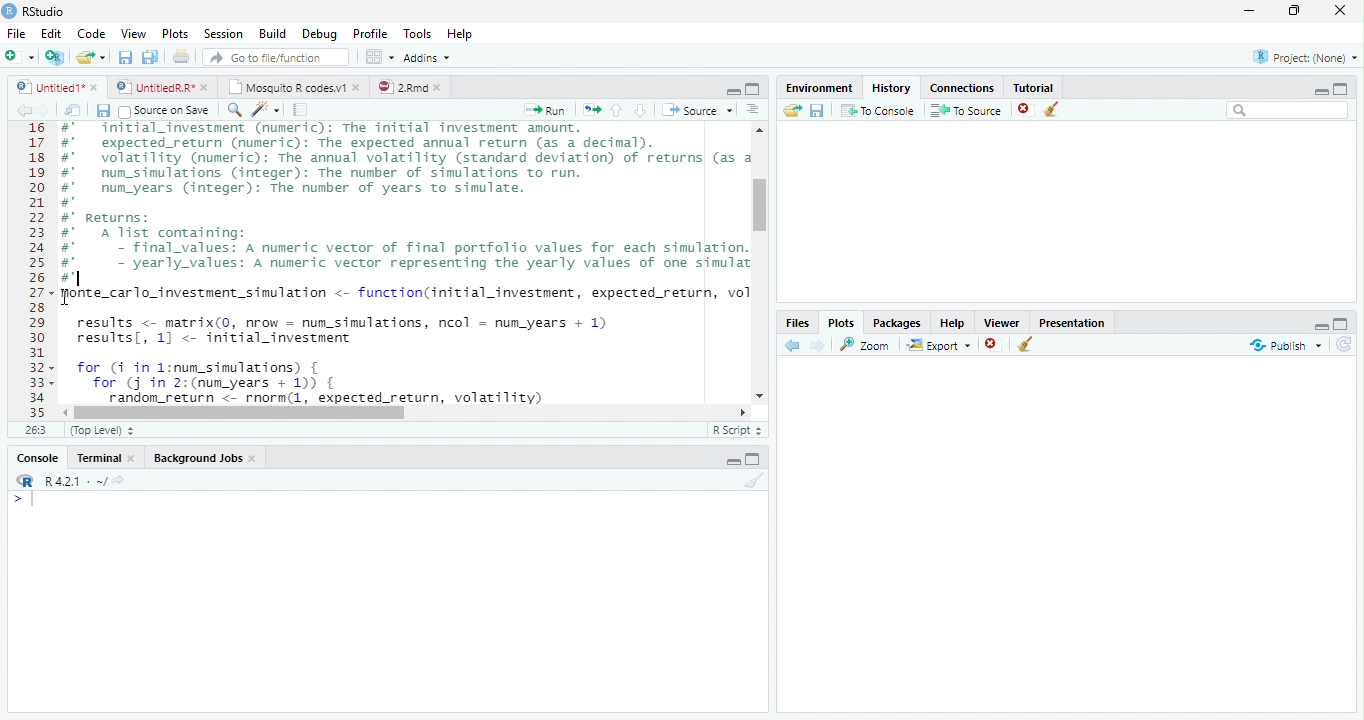 The image size is (1364, 720). Describe the element at coordinates (896, 321) in the screenshot. I see `Packages` at that location.